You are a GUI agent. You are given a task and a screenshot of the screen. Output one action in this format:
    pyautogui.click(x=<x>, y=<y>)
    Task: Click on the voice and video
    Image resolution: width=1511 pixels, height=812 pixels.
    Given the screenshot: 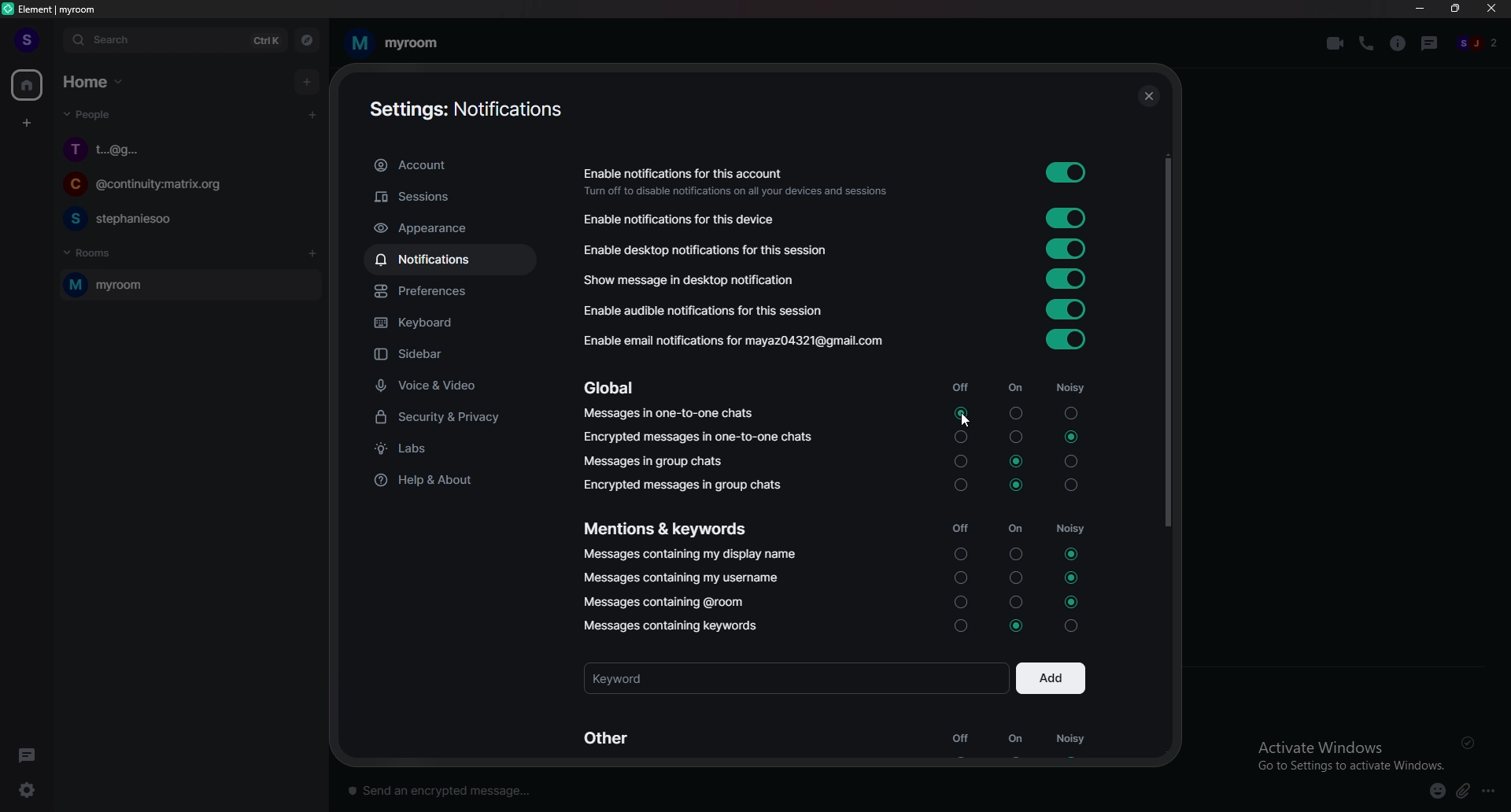 What is the action you would take?
    pyautogui.click(x=467, y=384)
    